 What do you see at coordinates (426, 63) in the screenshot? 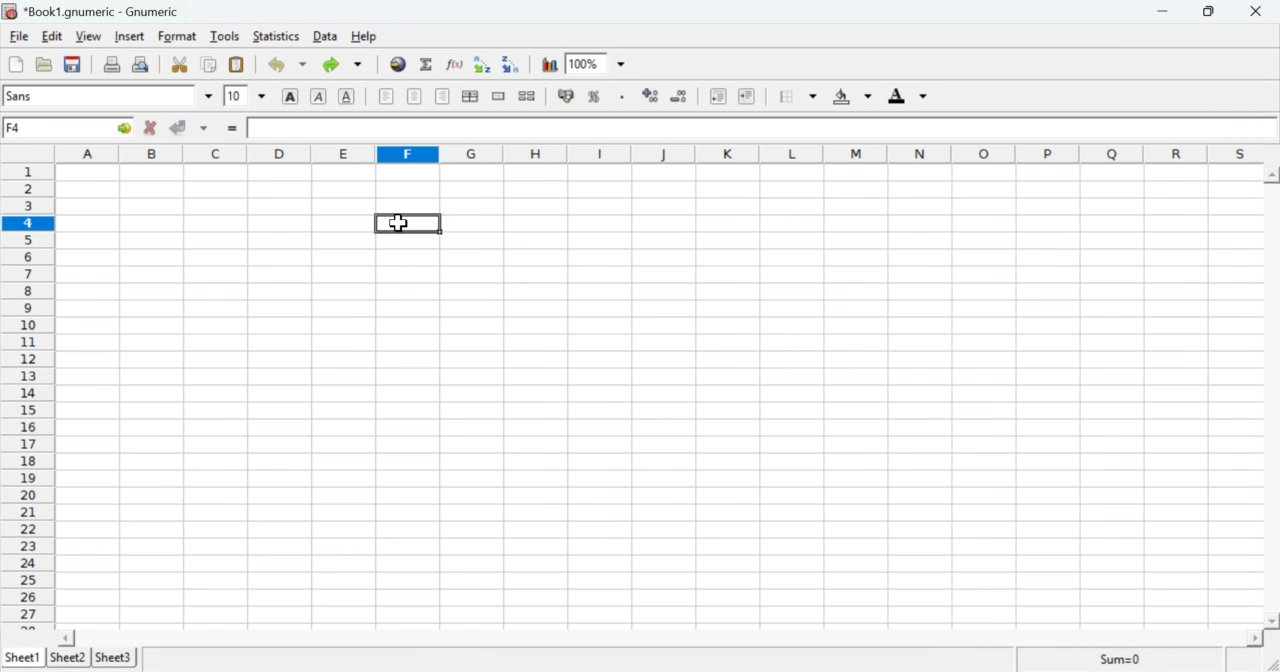
I see `Sum` at bounding box center [426, 63].